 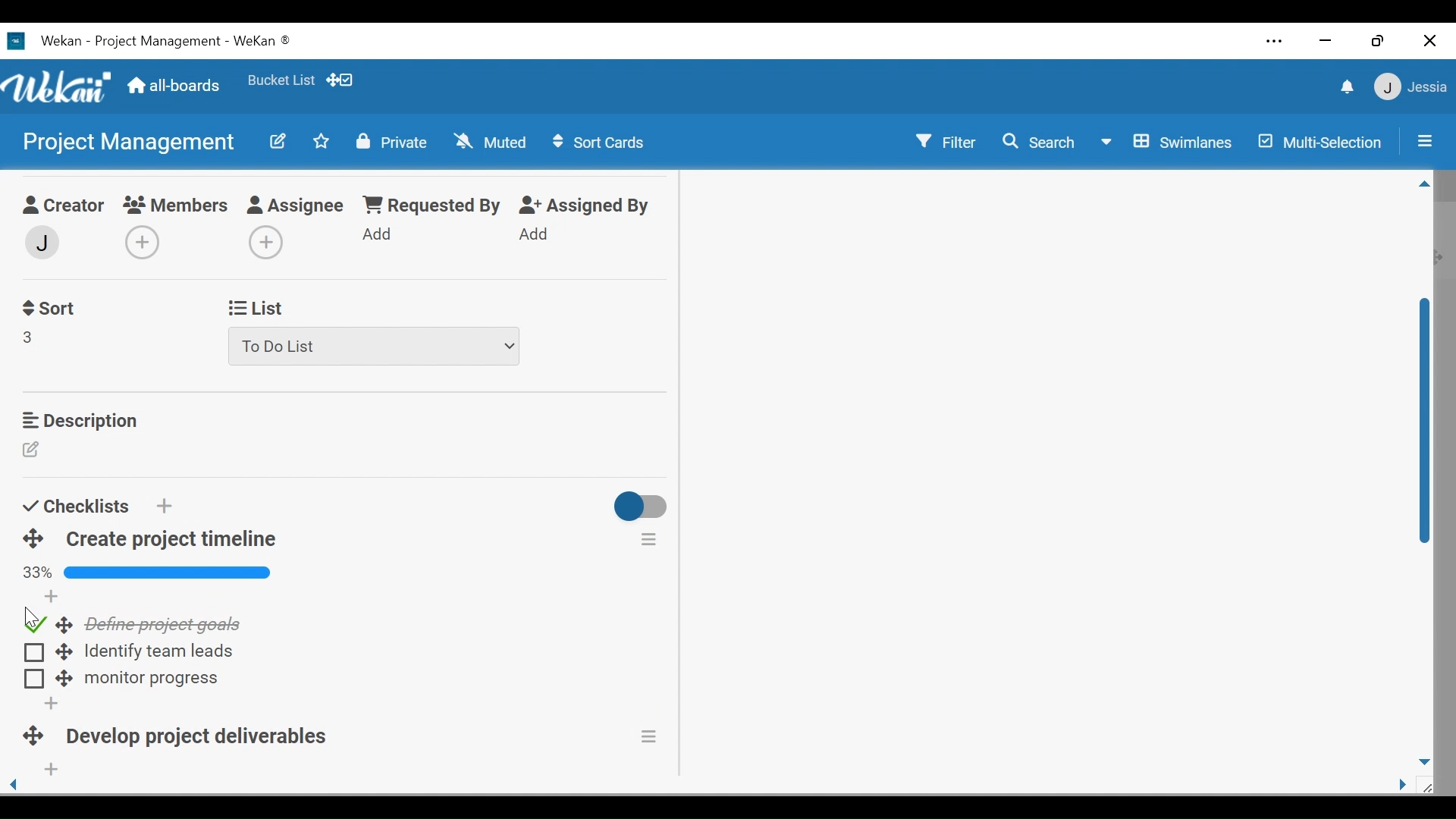 I want to click on , so click(x=177, y=205).